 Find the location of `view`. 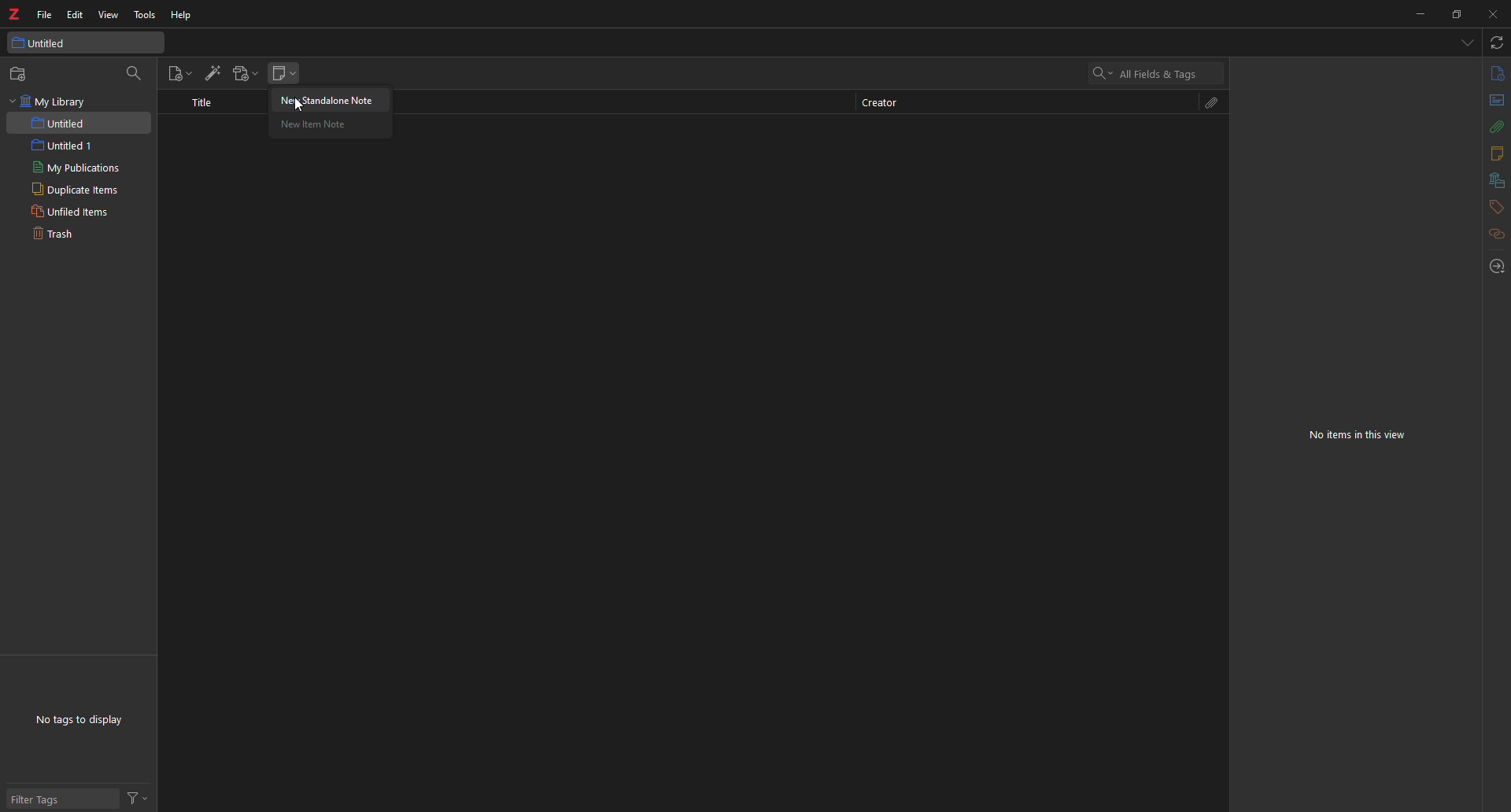

view is located at coordinates (109, 15).